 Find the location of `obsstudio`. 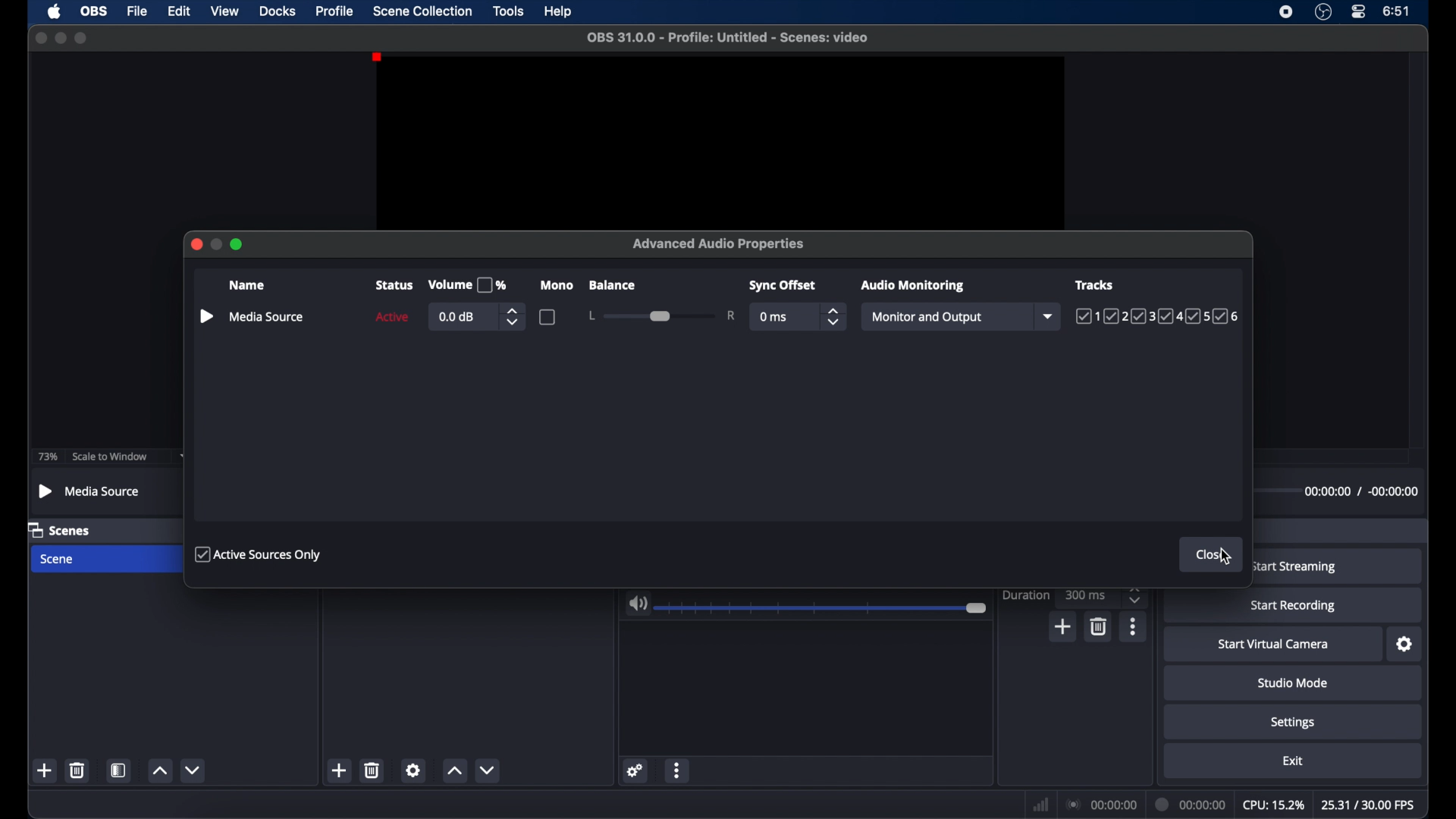

obsstudio is located at coordinates (1323, 12).